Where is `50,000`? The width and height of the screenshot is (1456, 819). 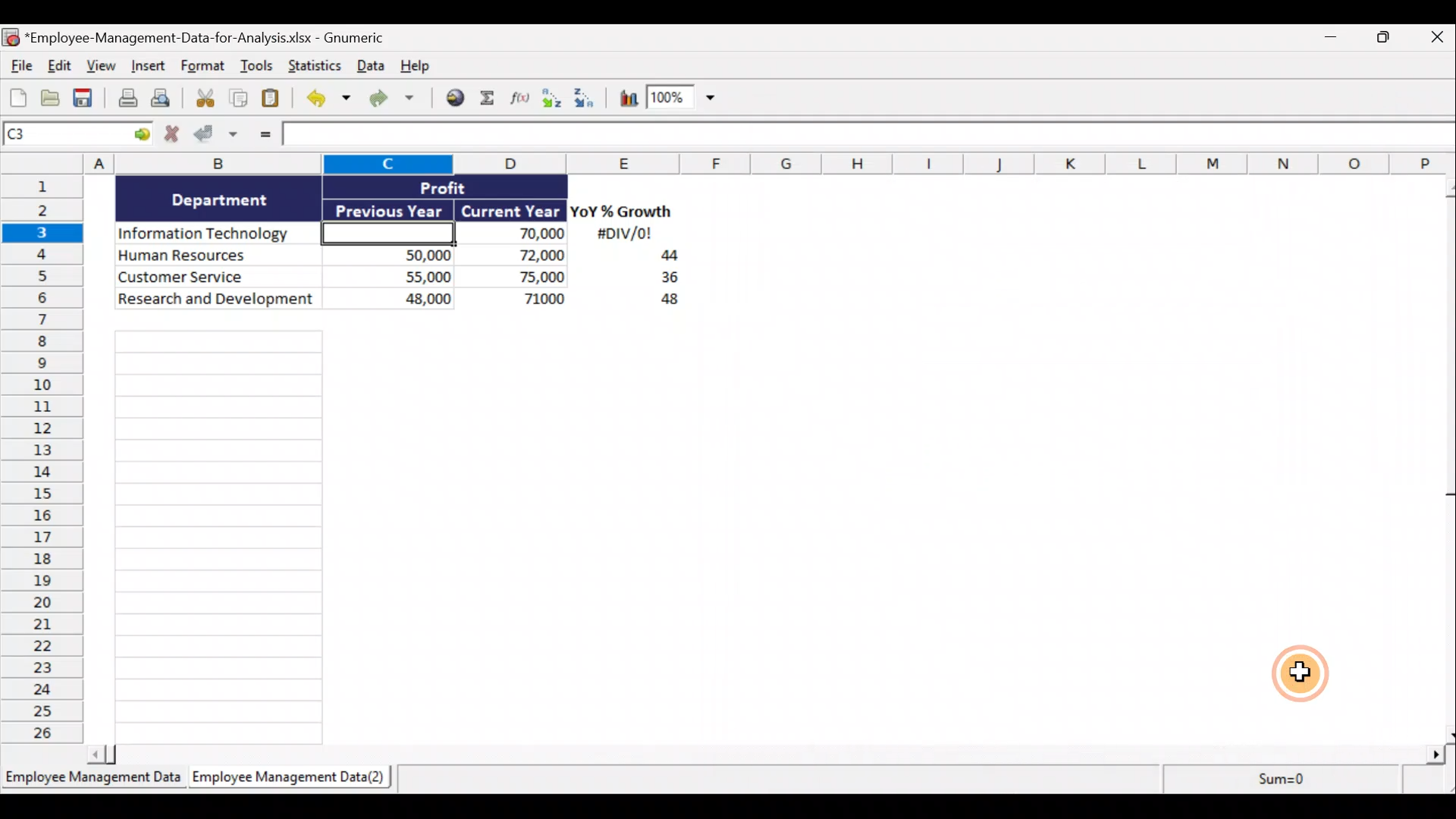
50,000 is located at coordinates (397, 254).